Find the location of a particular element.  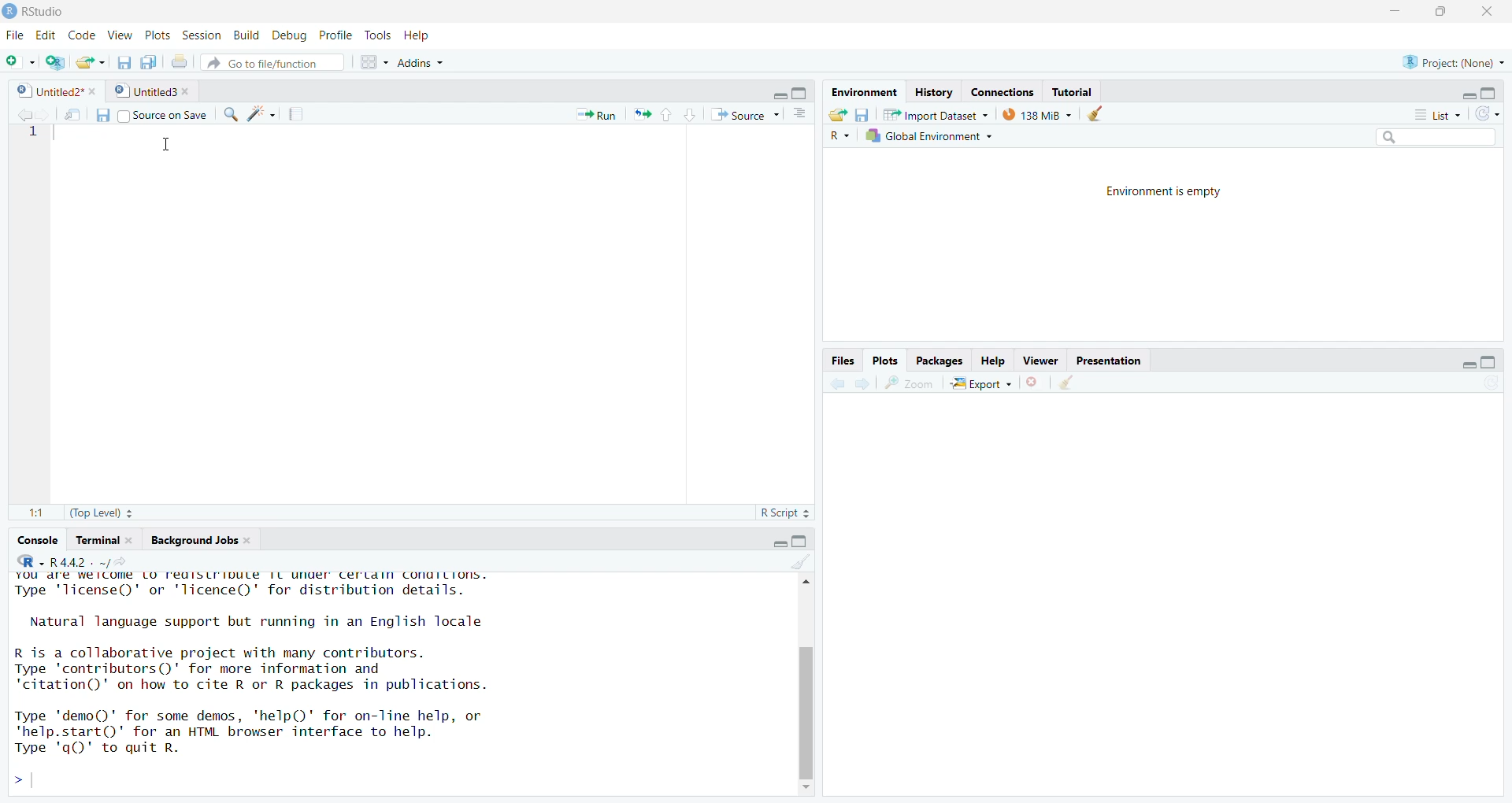

1:1 is located at coordinates (27, 513).